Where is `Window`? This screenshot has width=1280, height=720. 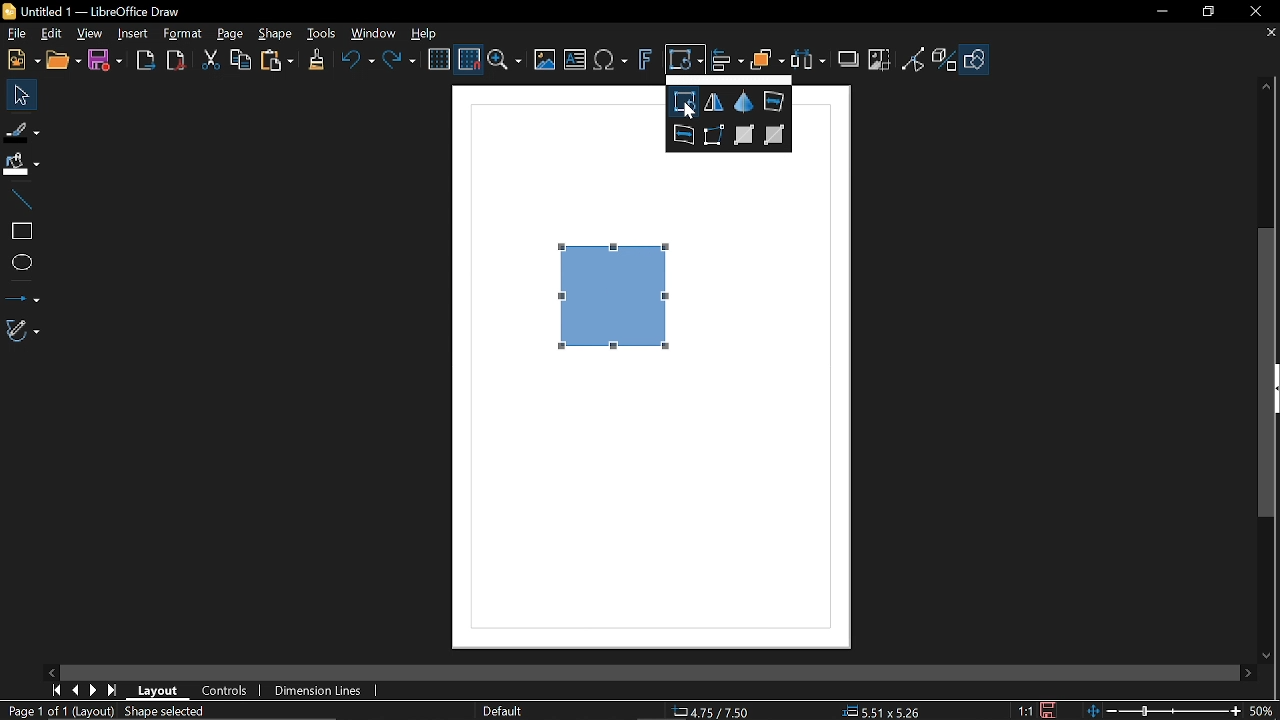 Window is located at coordinates (374, 33).